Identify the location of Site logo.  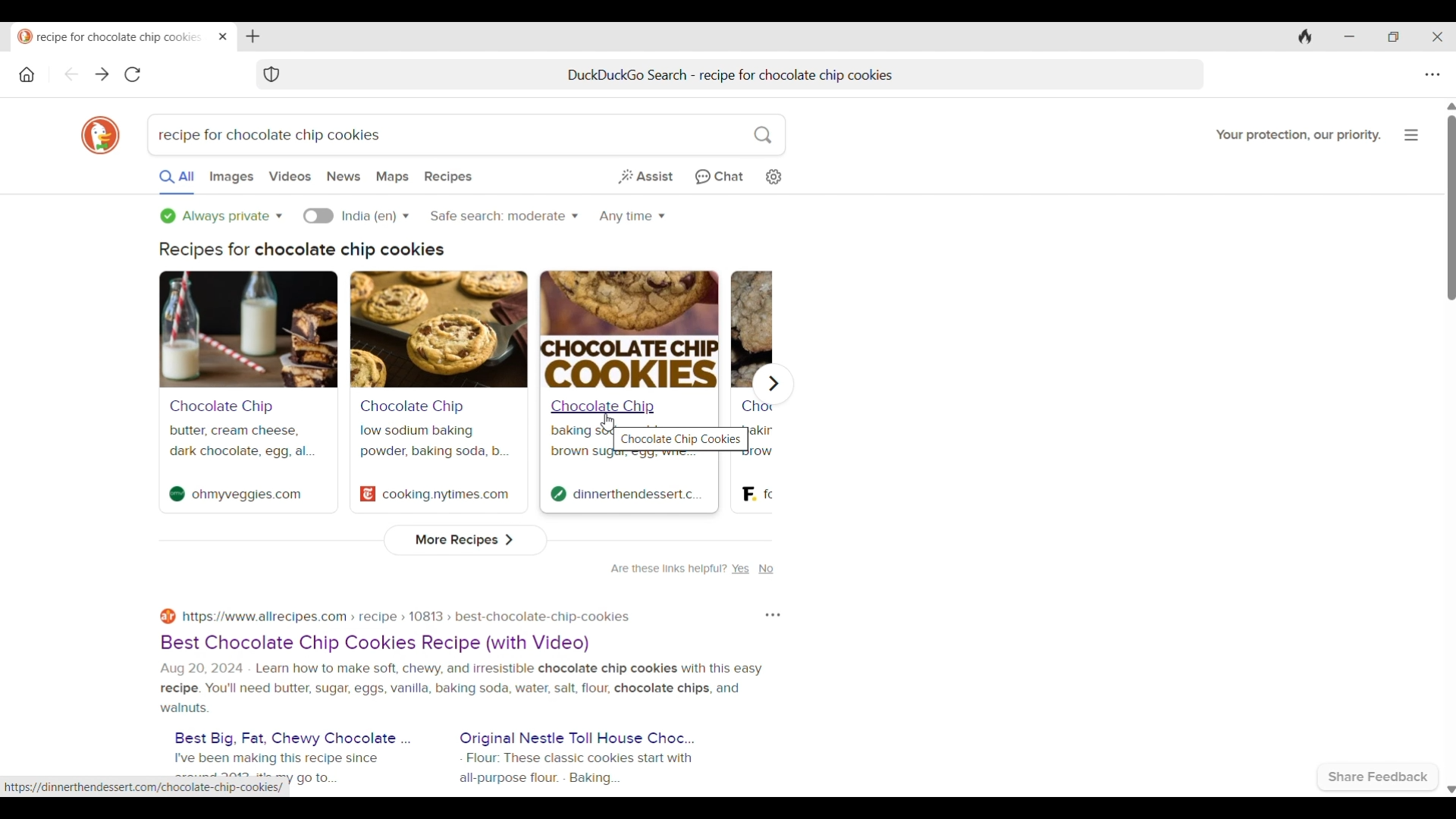
(177, 494).